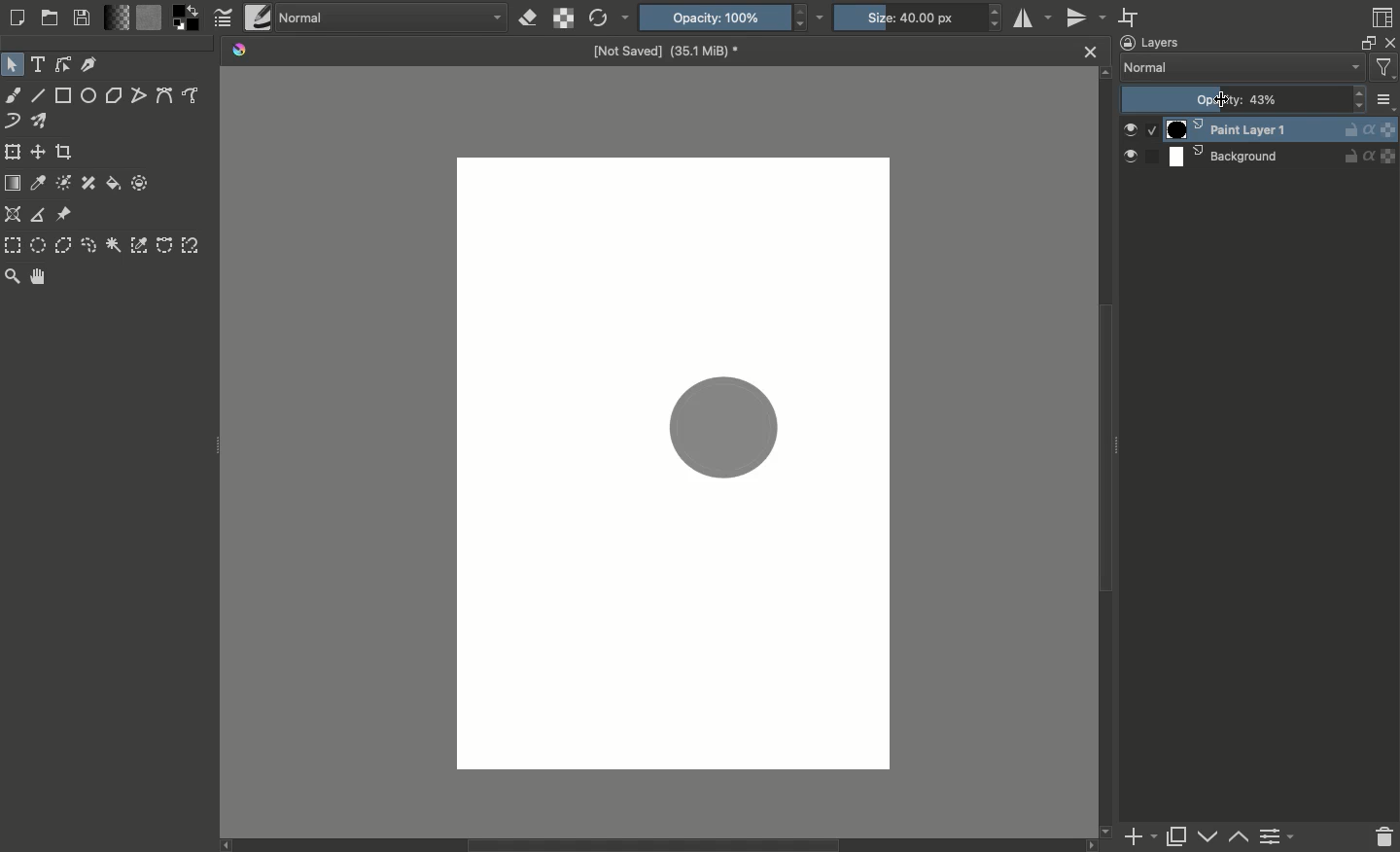 The width and height of the screenshot is (1400, 852). Describe the element at coordinates (721, 428) in the screenshot. I see `Shape` at that location.